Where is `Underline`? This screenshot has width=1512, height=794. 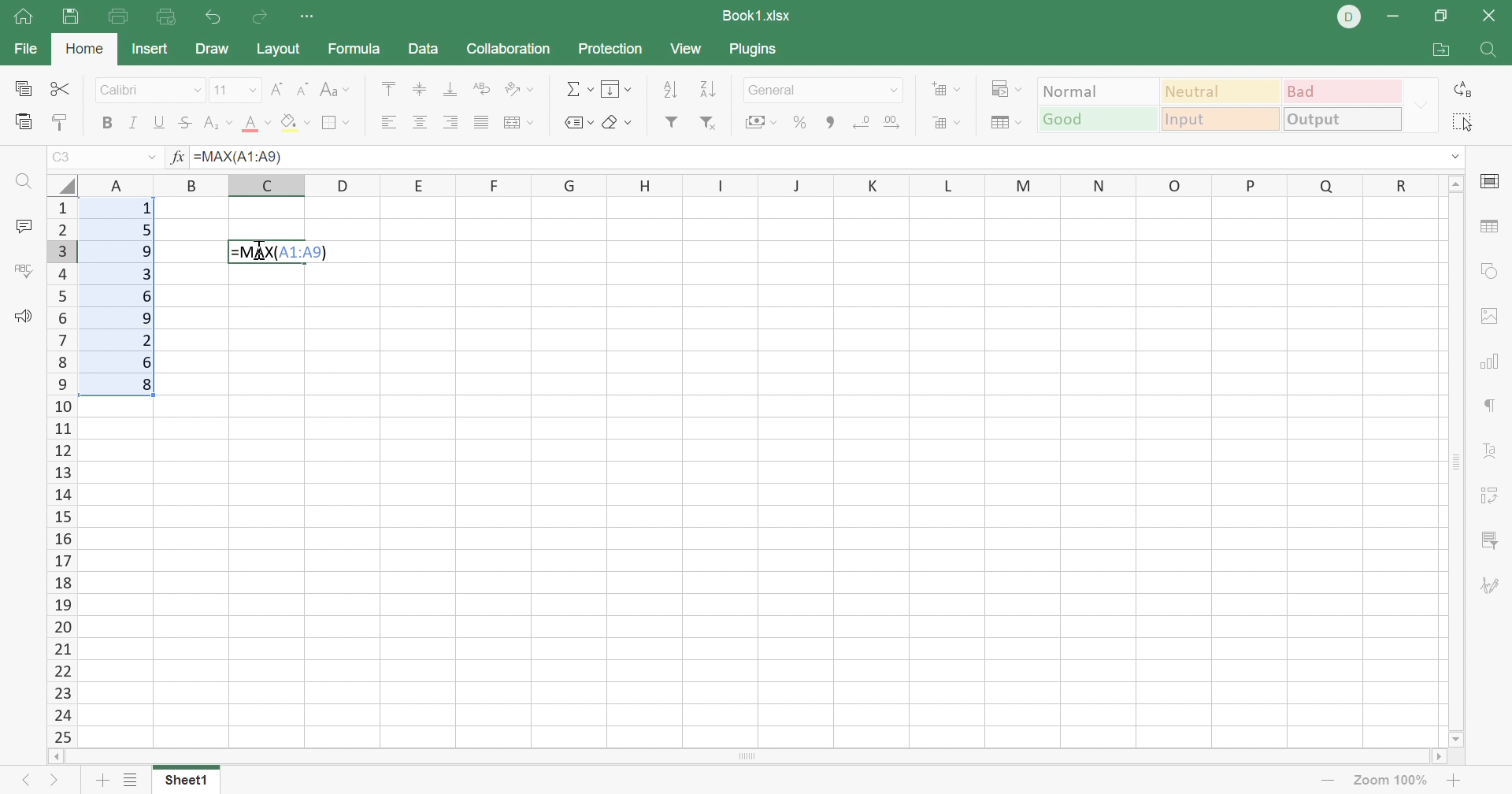
Underline is located at coordinates (161, 122).